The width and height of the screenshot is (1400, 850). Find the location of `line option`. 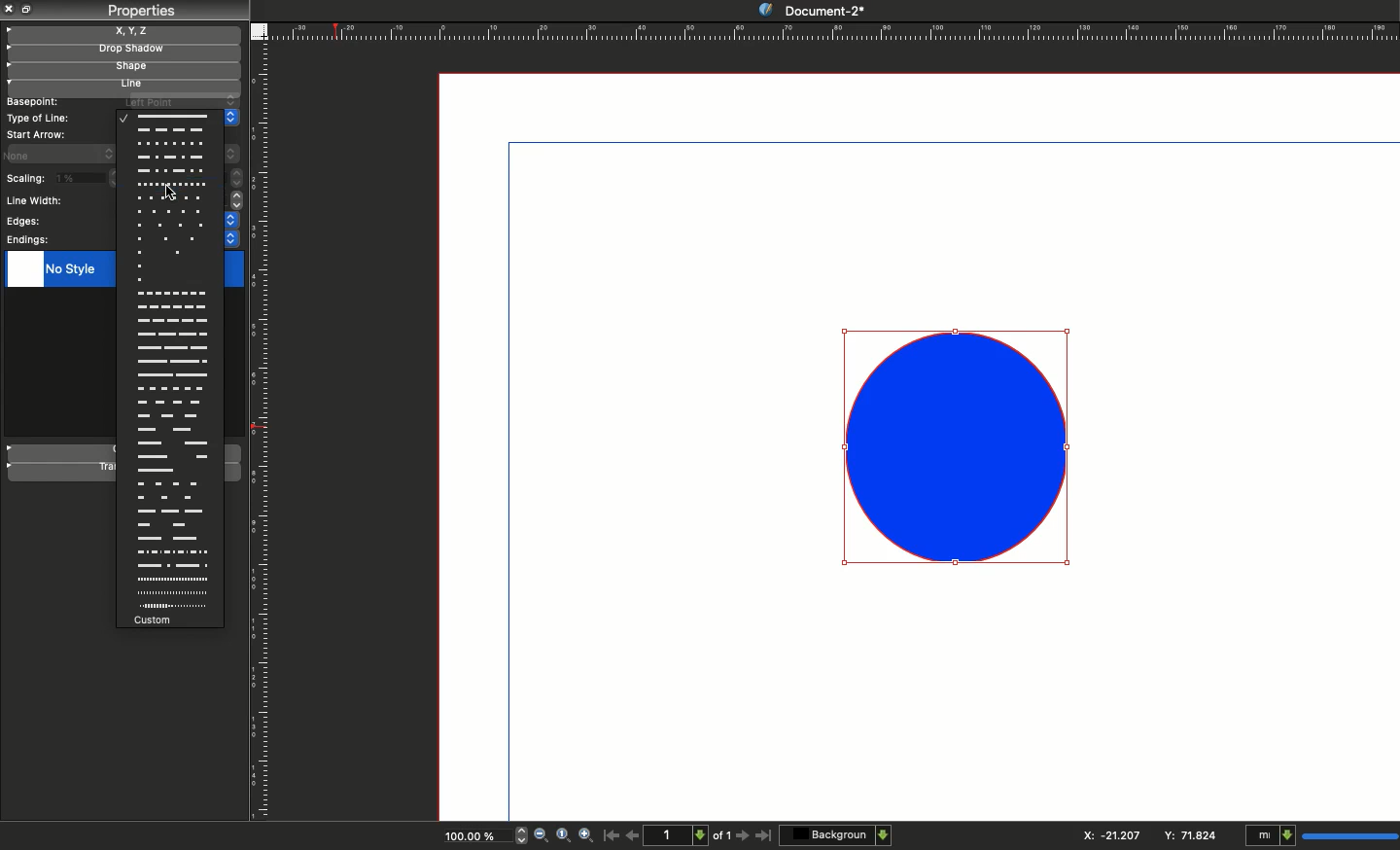

line option is located at coordinates (171, 183).